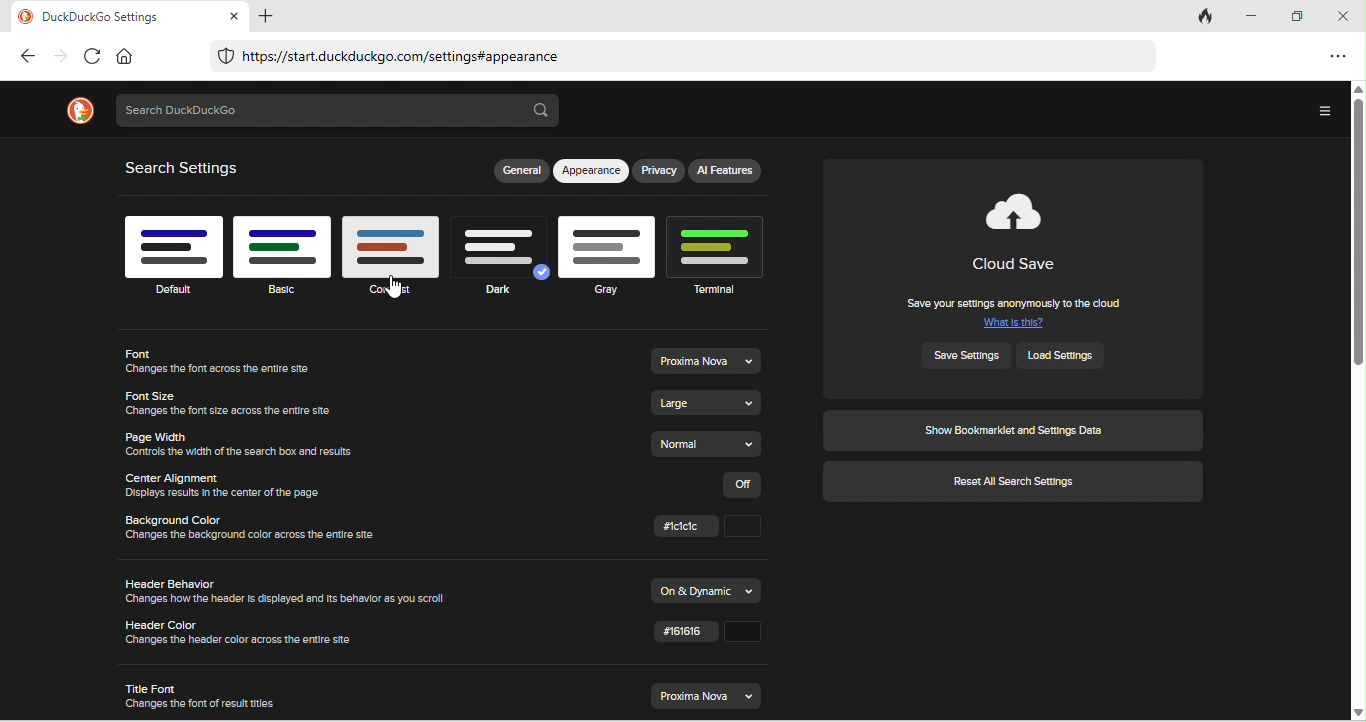 This screenshot has width=1366, height=722. What do you see at coordinates (1013, 430) in the screenshot?
I see `show bookmarks and settings data` at bounding box center [1013, 430].